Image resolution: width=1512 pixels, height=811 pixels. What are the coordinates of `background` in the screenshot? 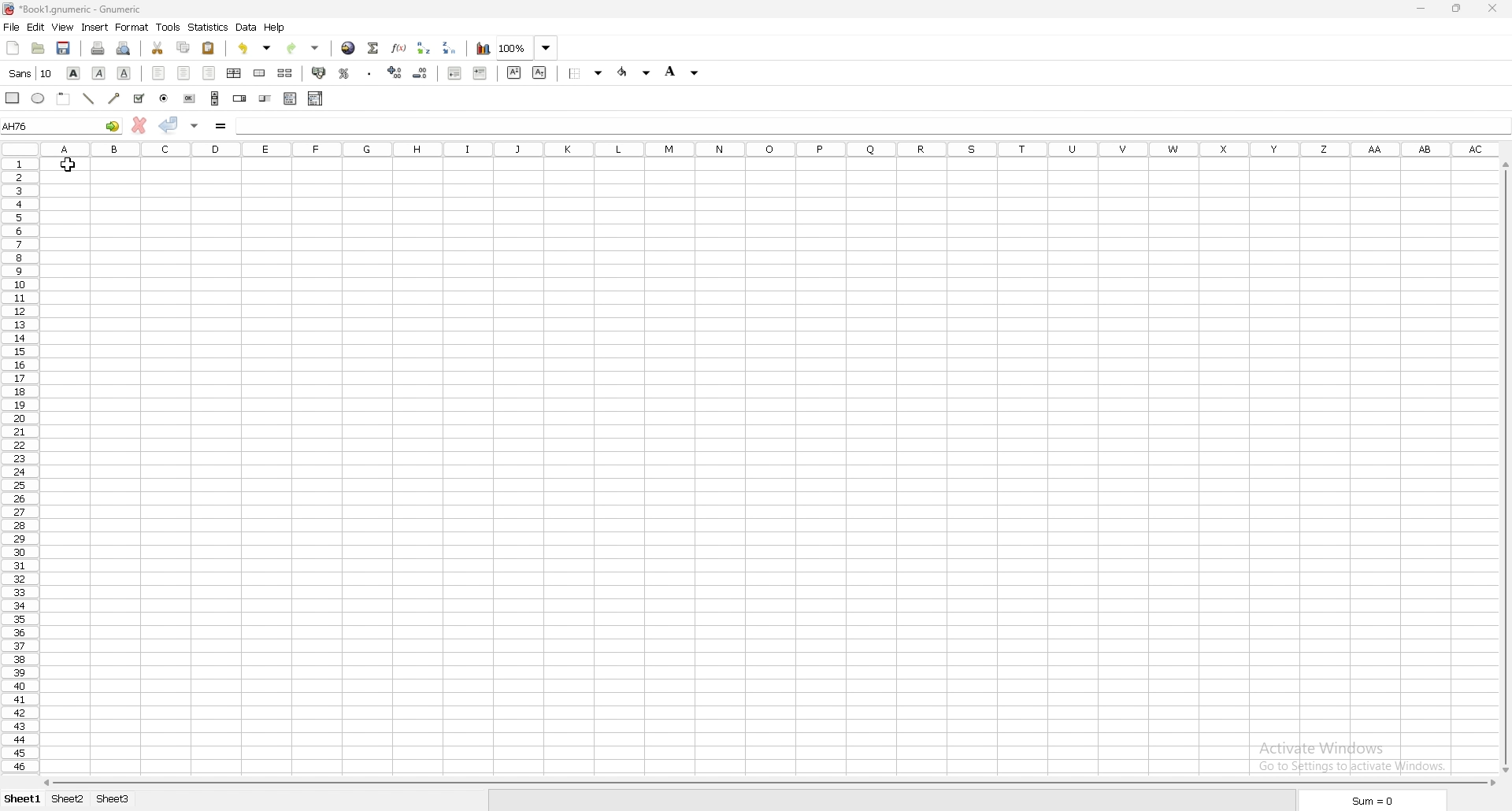 It's located at (634, 72).